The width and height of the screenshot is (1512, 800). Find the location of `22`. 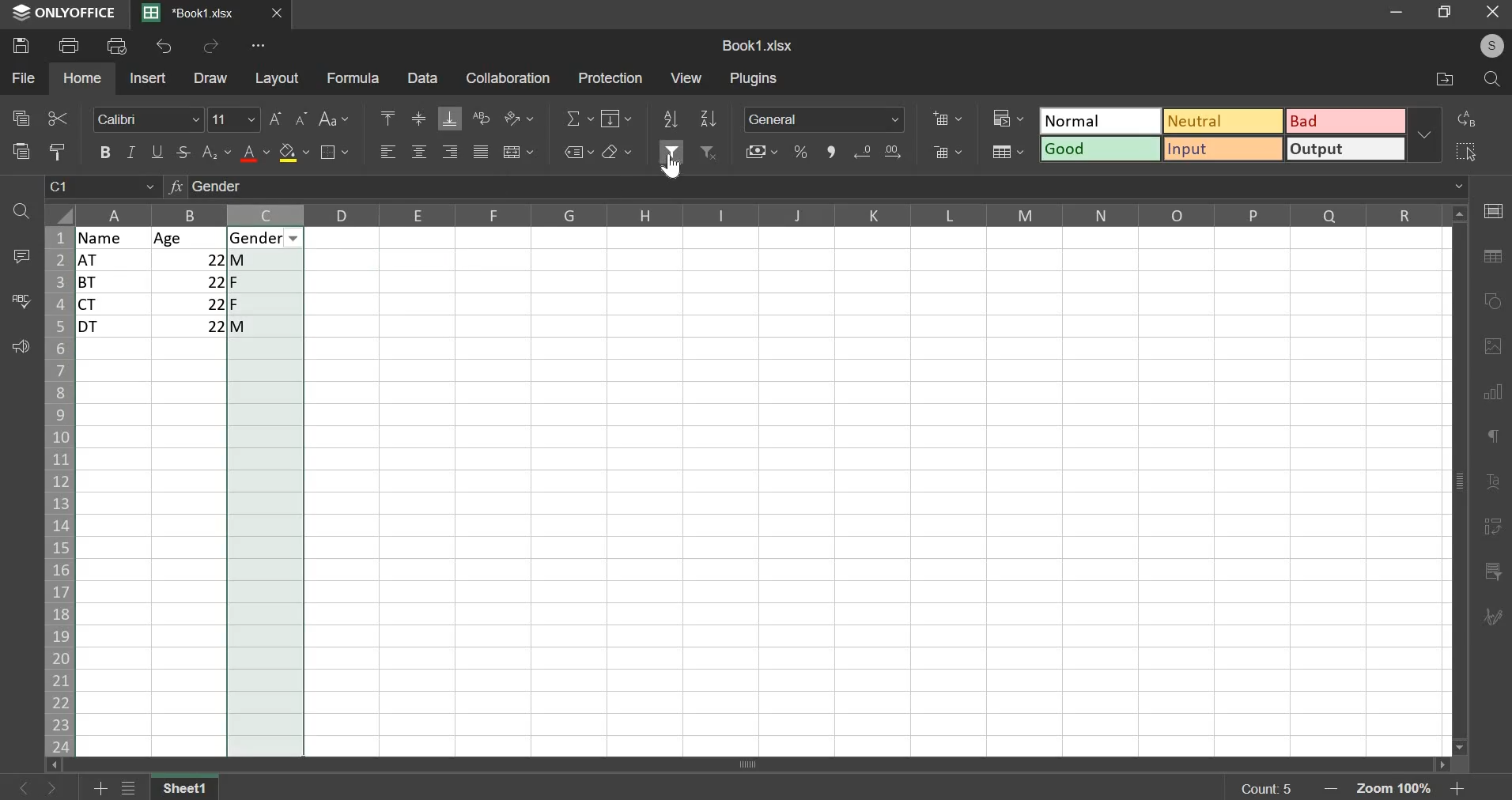

22 is located at coordinates (191, 304).